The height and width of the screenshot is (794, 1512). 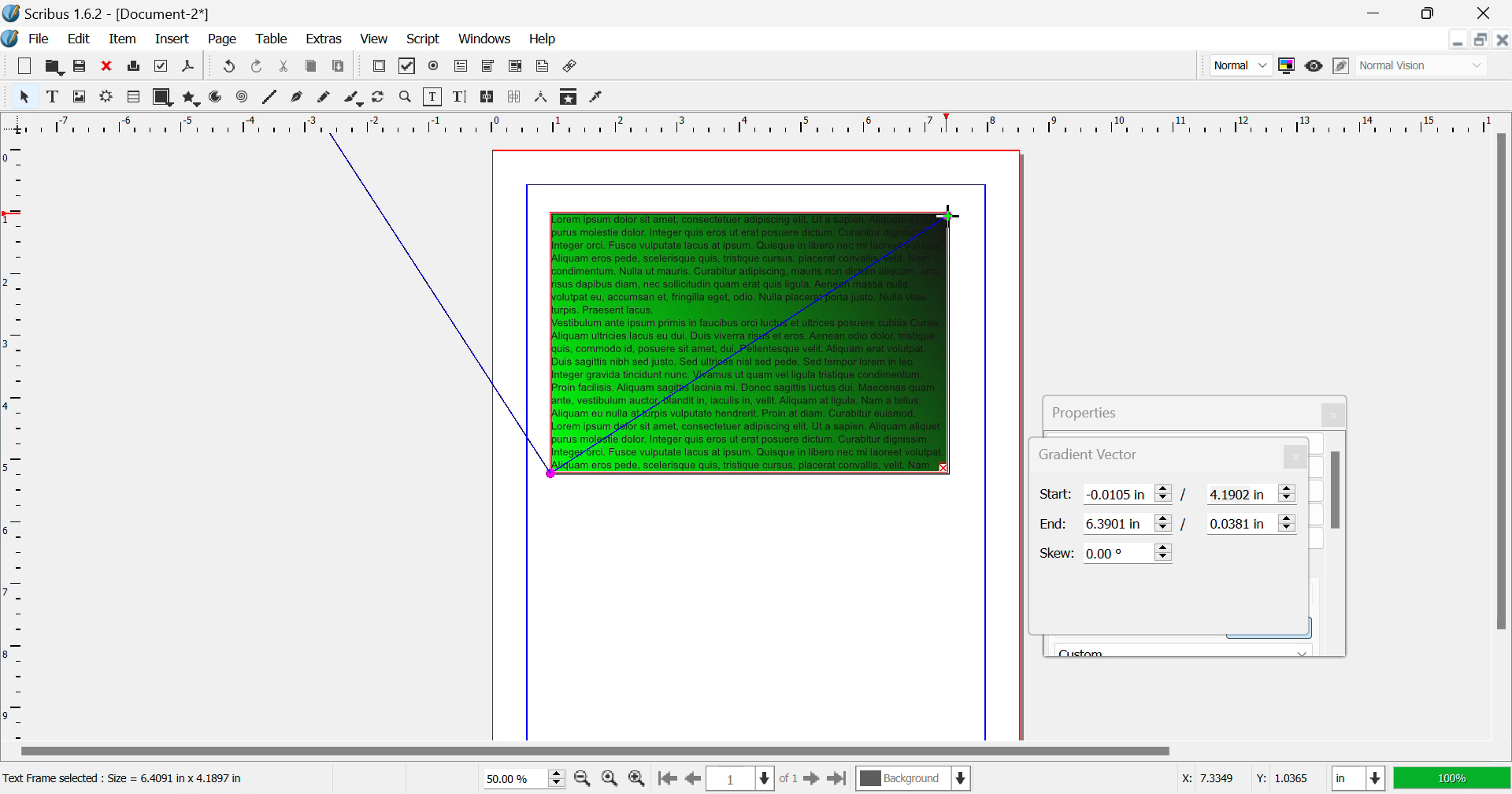 I want to click on Script, so click(x=424, y=38).